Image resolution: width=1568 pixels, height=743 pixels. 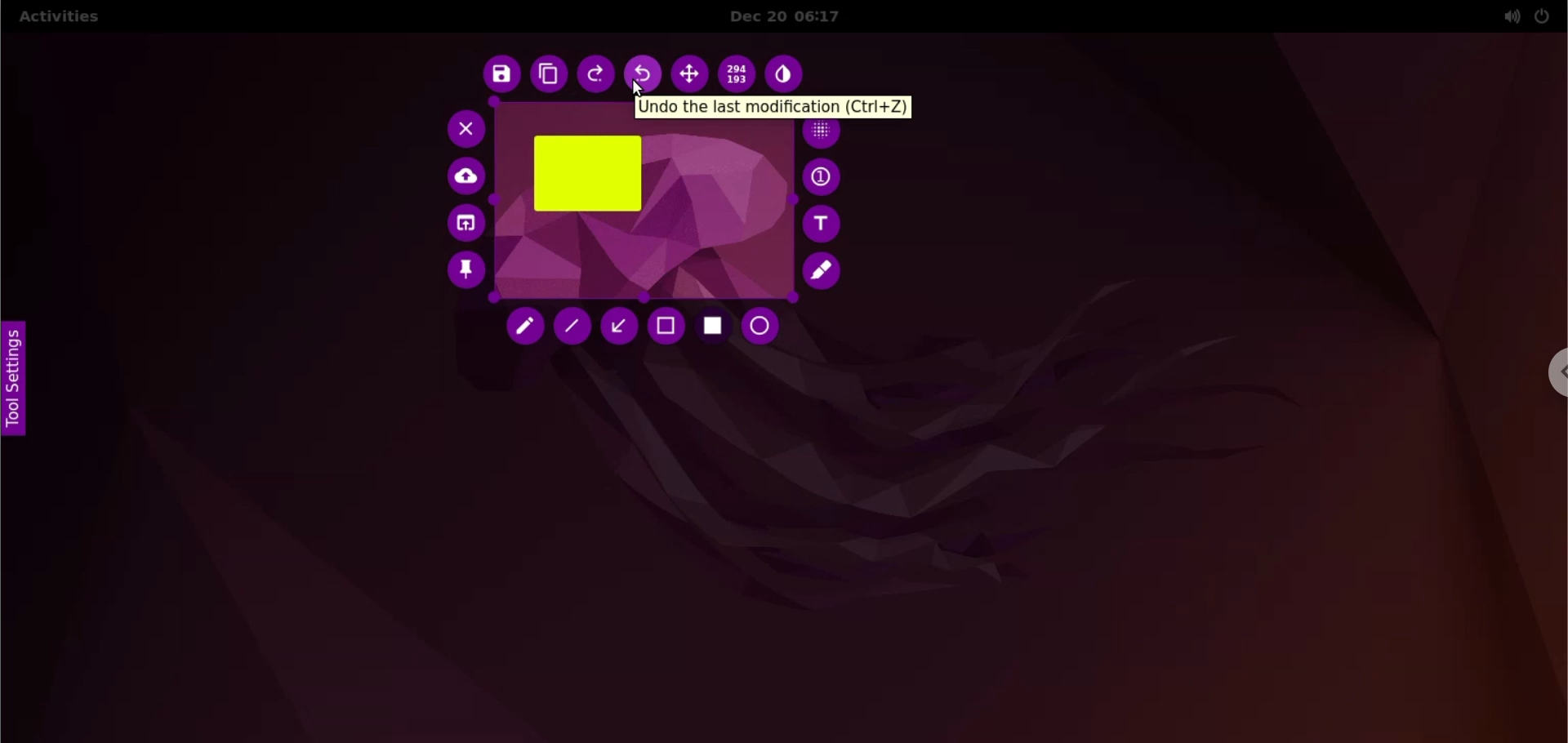 What do you see at coordinates (797, 16) in the screenshot?
I see `Dec 20 06:17` at bounding box center [797, 16].